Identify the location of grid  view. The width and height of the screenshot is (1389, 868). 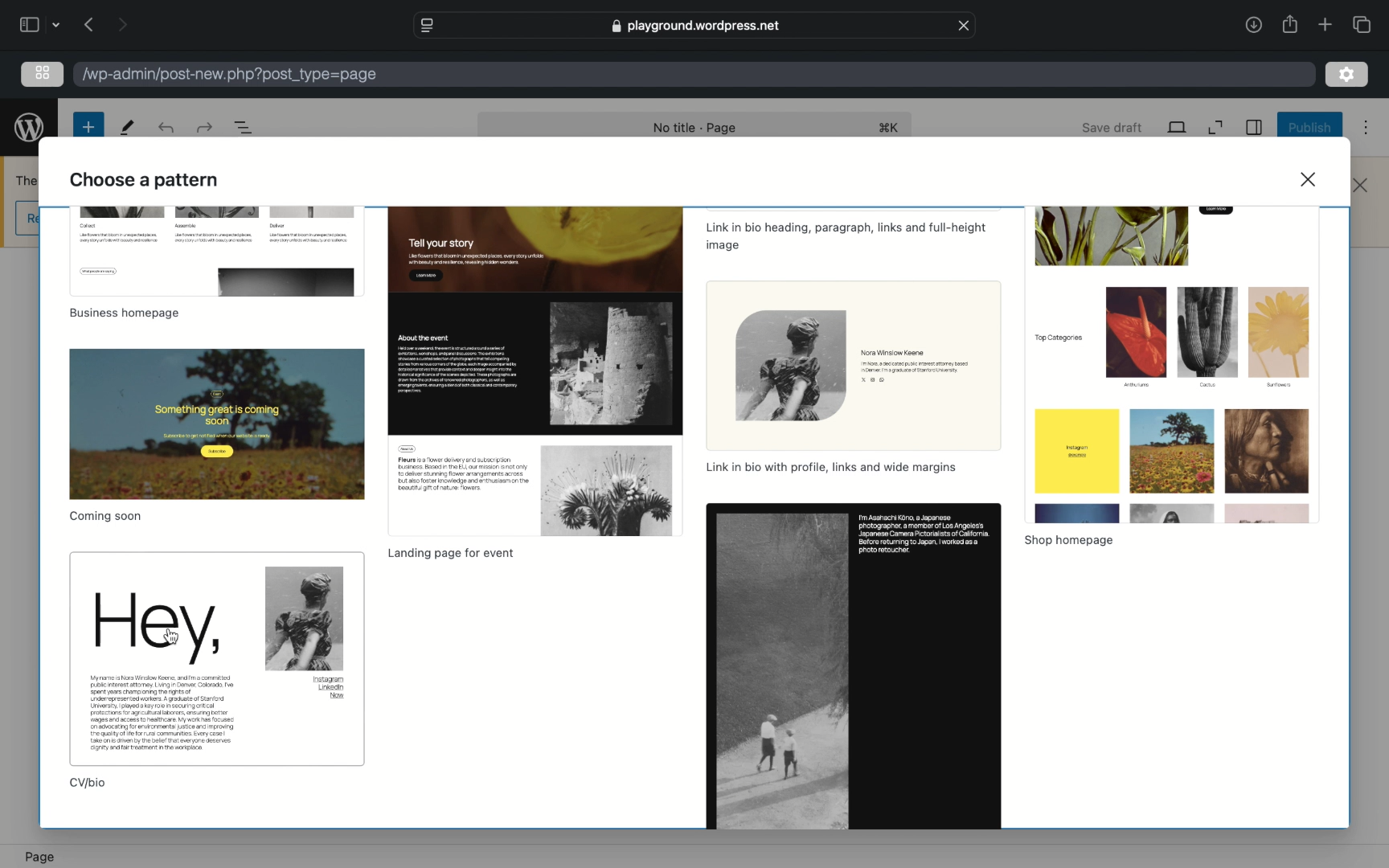
(43, 72).